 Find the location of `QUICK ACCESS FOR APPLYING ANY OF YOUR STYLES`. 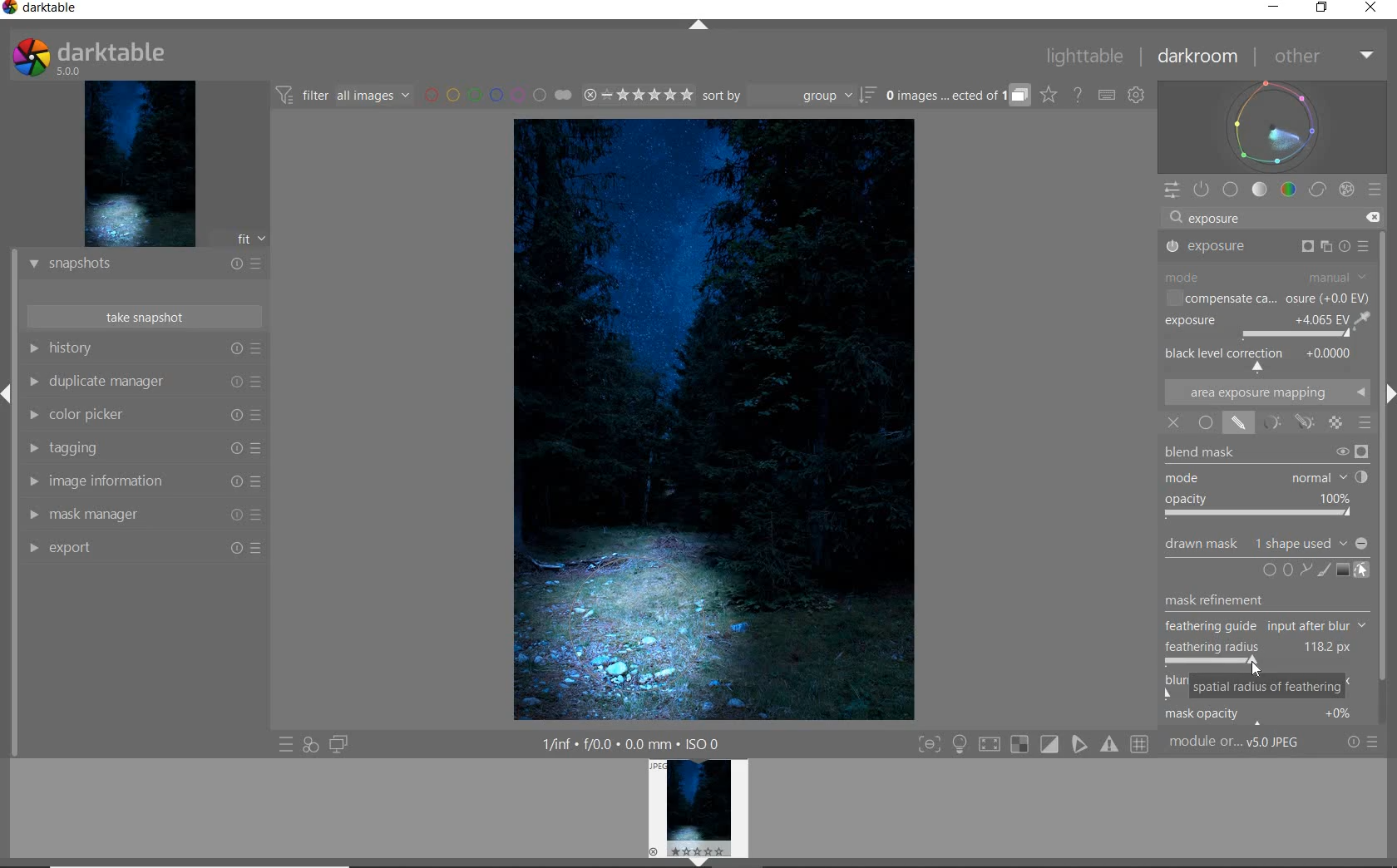

QUICK ACCESS FOR APPLYING ANY OF YOUR STYLES is located at coordinates (309, 746).